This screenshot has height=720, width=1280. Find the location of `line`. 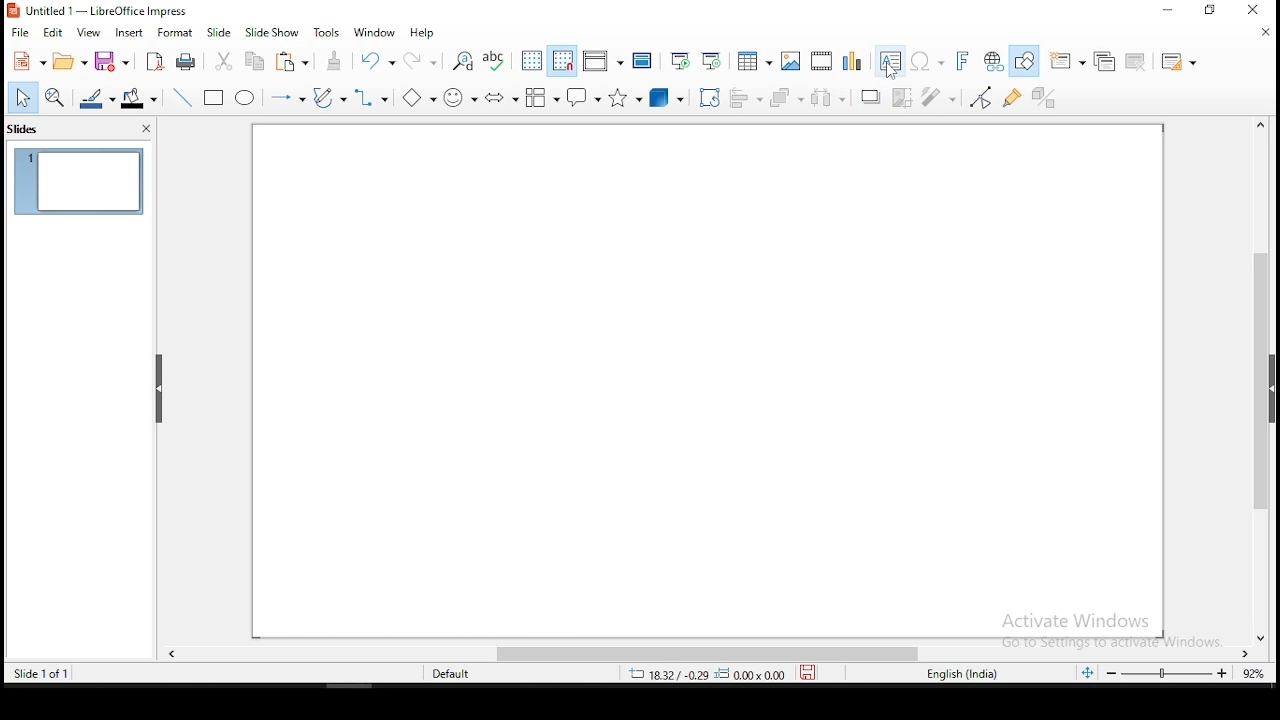

line is located at coordinates (184, 96).